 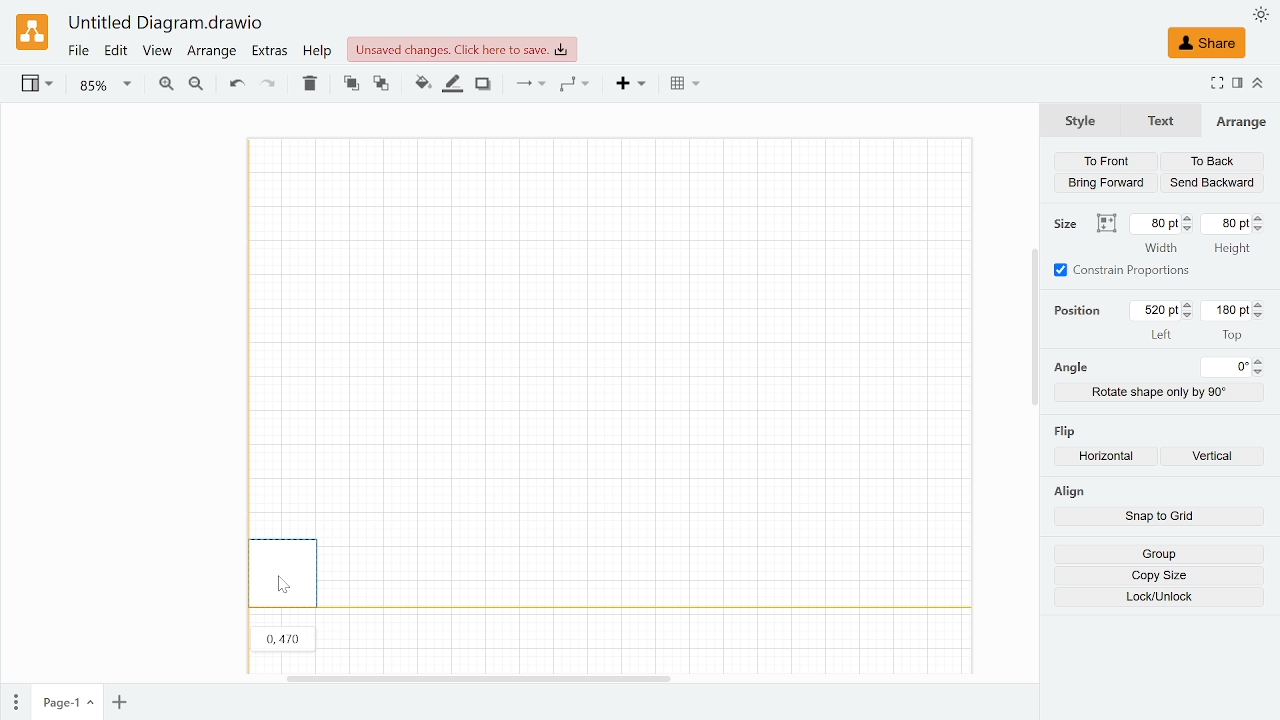 I want to click on Style, so click(x=1080, y=119).